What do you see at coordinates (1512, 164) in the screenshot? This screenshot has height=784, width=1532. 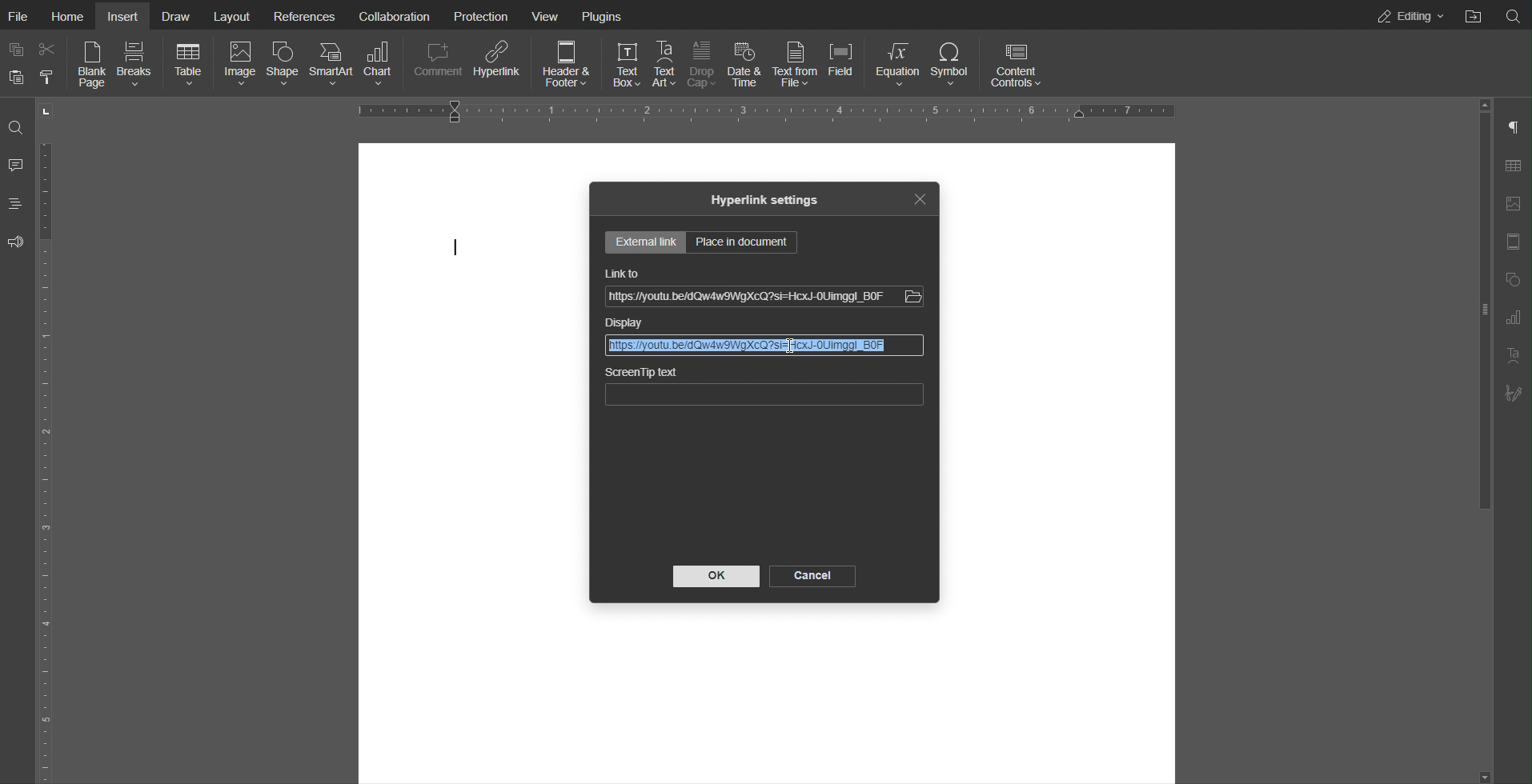 I see `Table Settings` at bounding box center [1512, 164].